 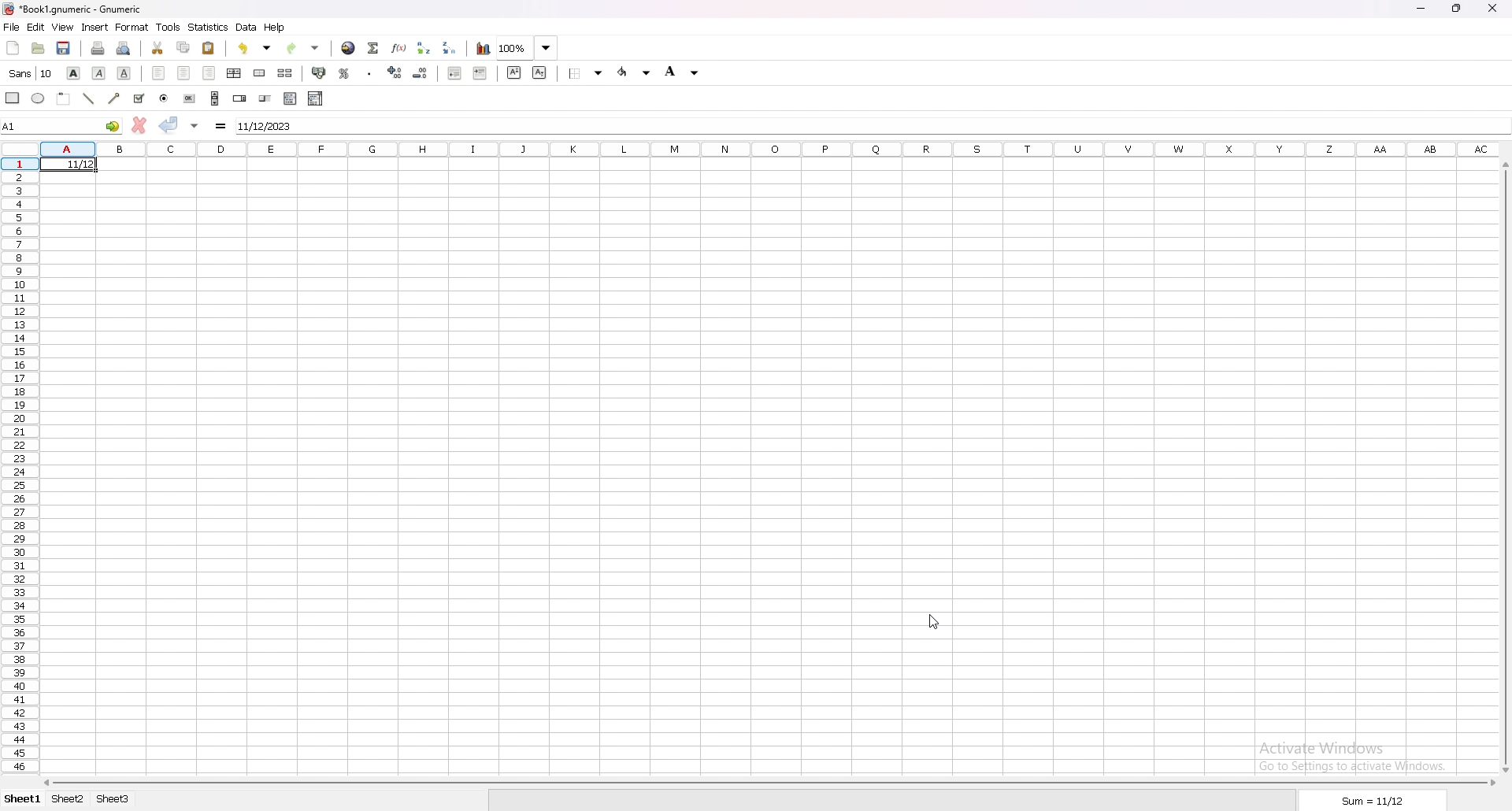 What do you see at coordinates (399, 48) in the screenshot?
I see `function` at bounding box center [399, 48].